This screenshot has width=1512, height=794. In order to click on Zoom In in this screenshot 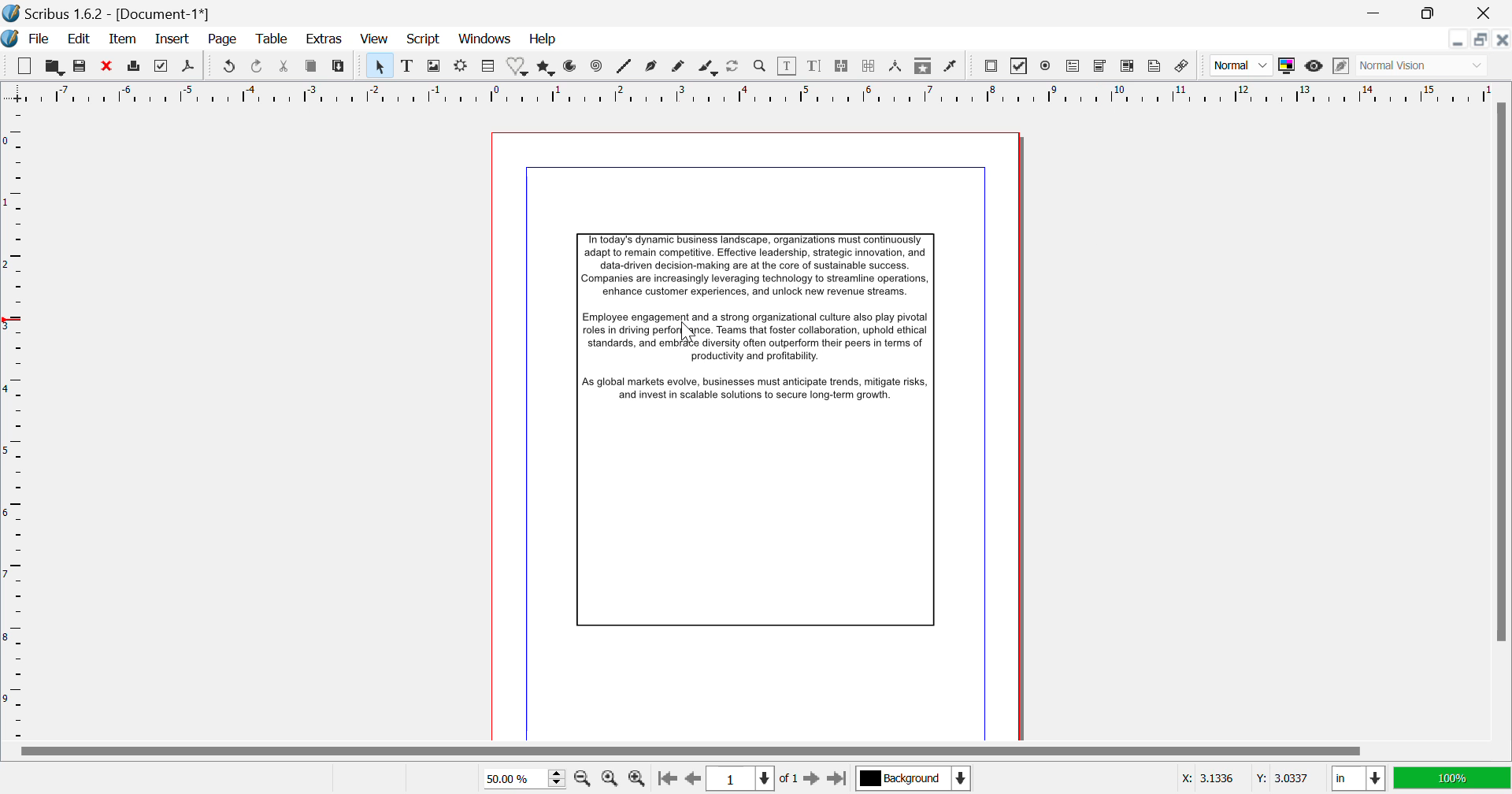, I will do `click(638, 779)`.